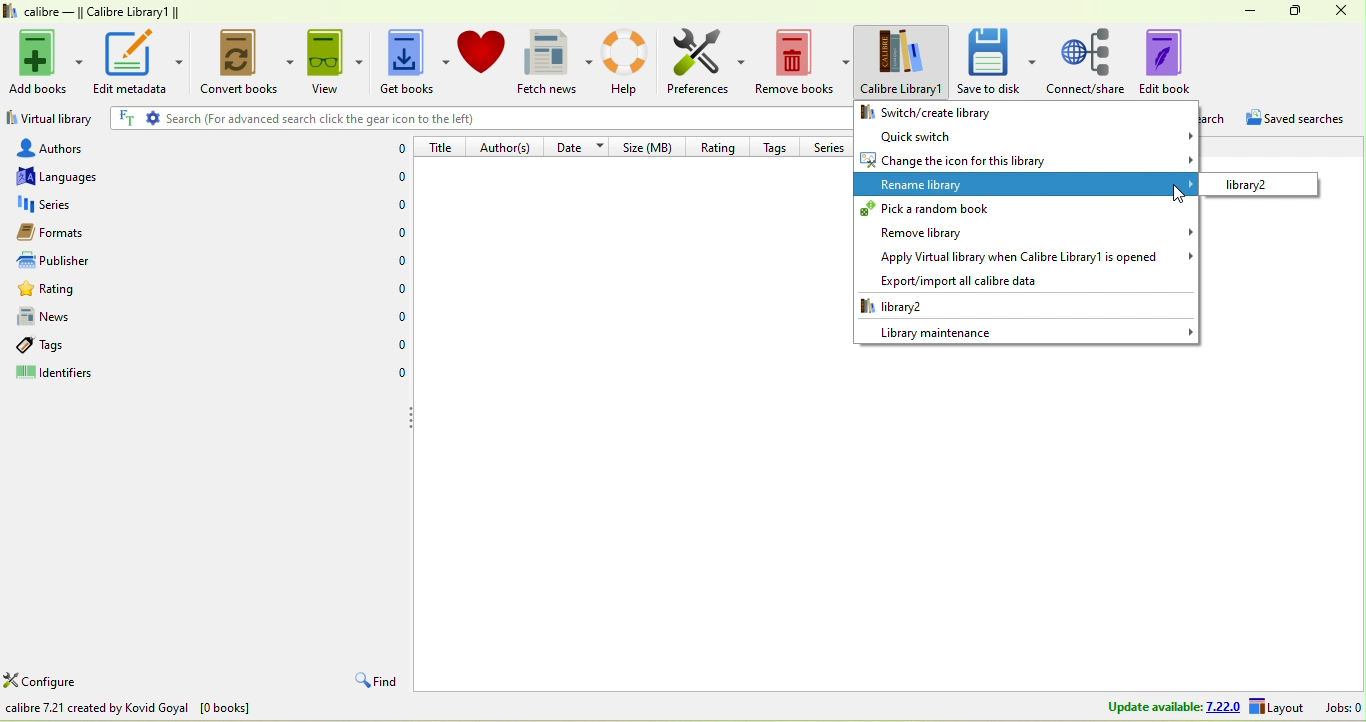 The width and height of the screenshot is (1366, 722). Describe the element at coordinates (779, 145) in the screenshot. I see `tags` at that location.